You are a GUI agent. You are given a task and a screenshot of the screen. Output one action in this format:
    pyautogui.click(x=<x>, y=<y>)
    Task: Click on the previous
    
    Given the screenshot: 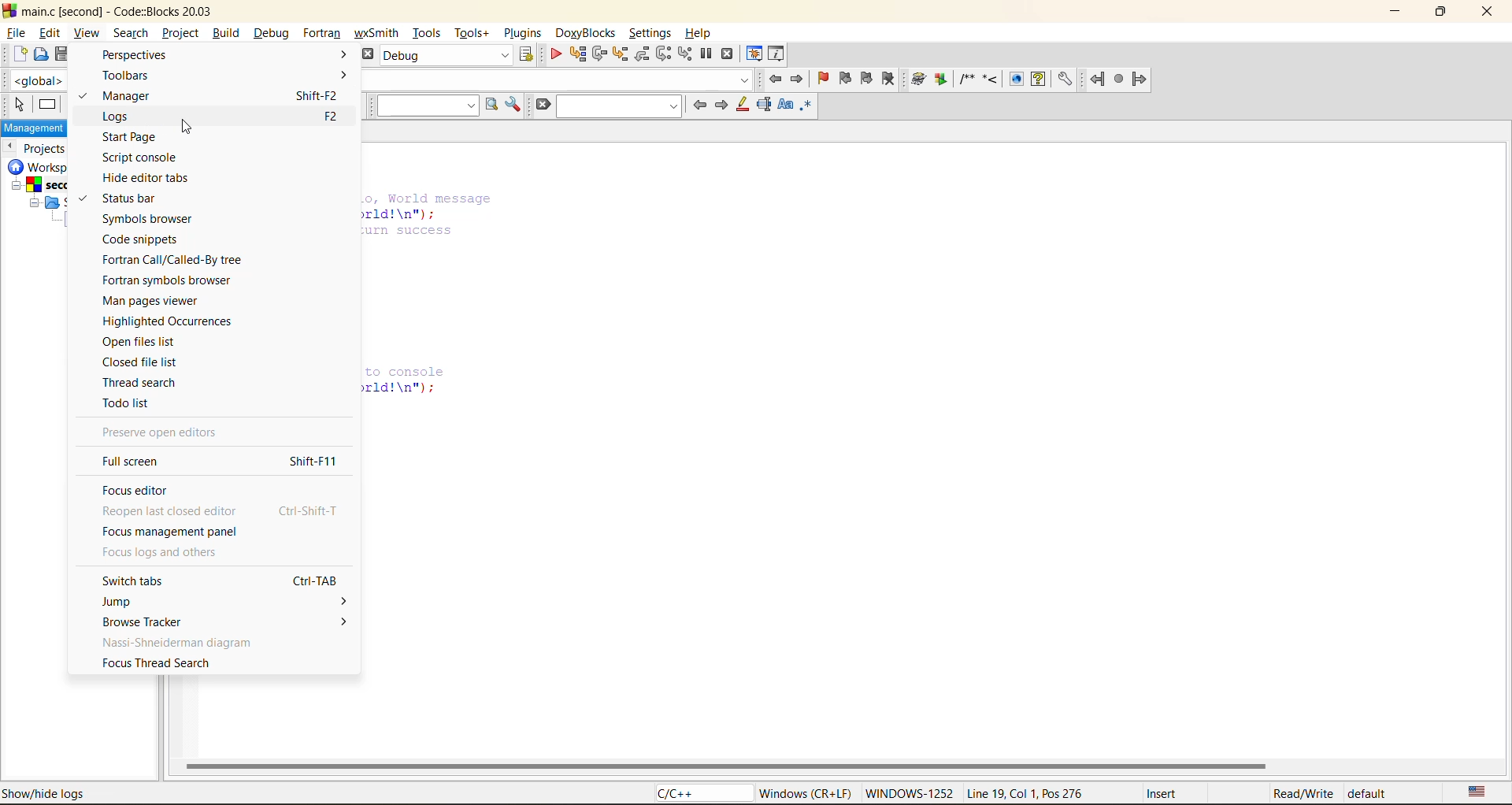 What is the action you would take?
    pyautogui.click(x=12, y=147)
    